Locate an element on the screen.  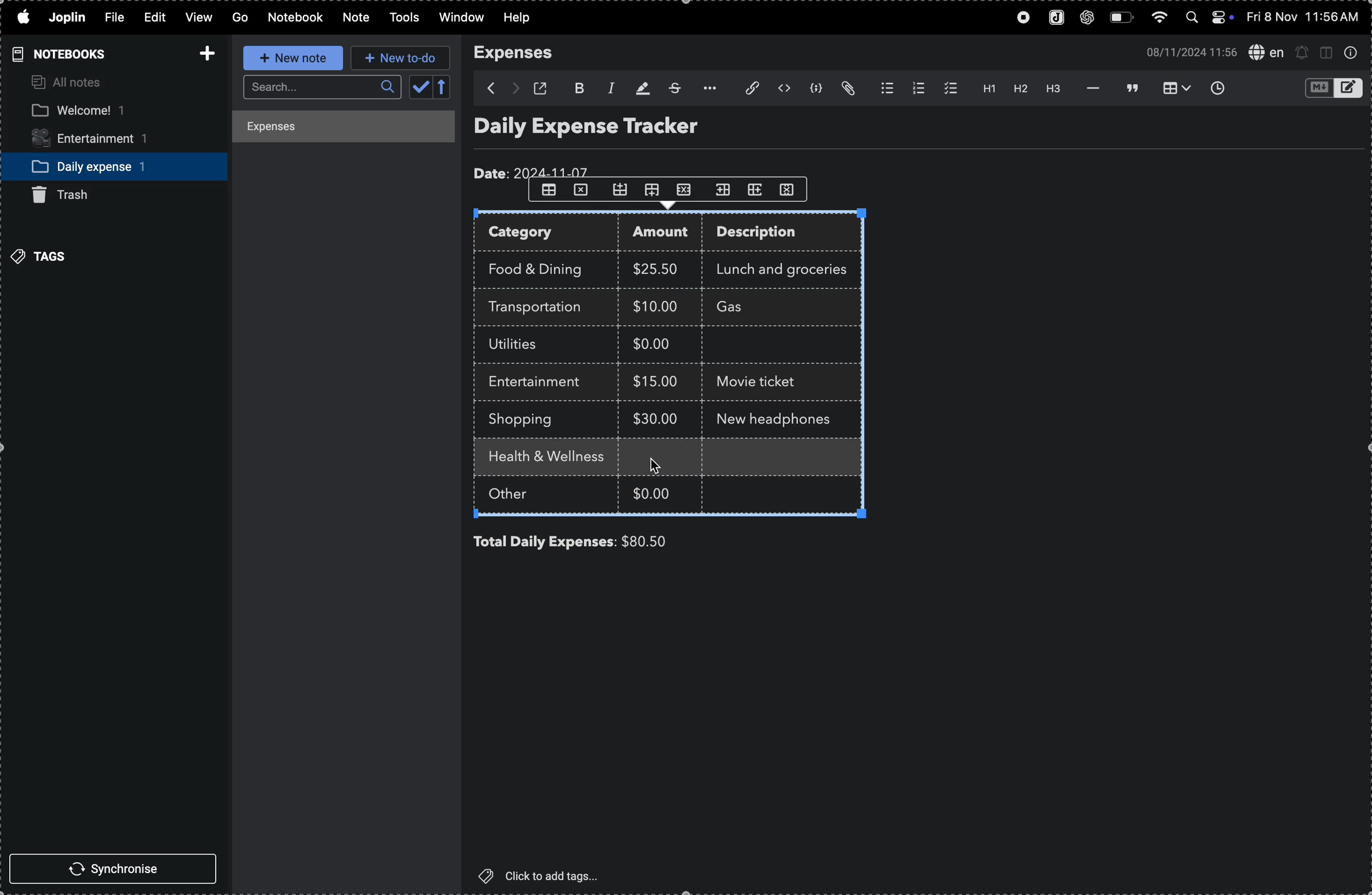
inline code is located at coordinates (783, 89).